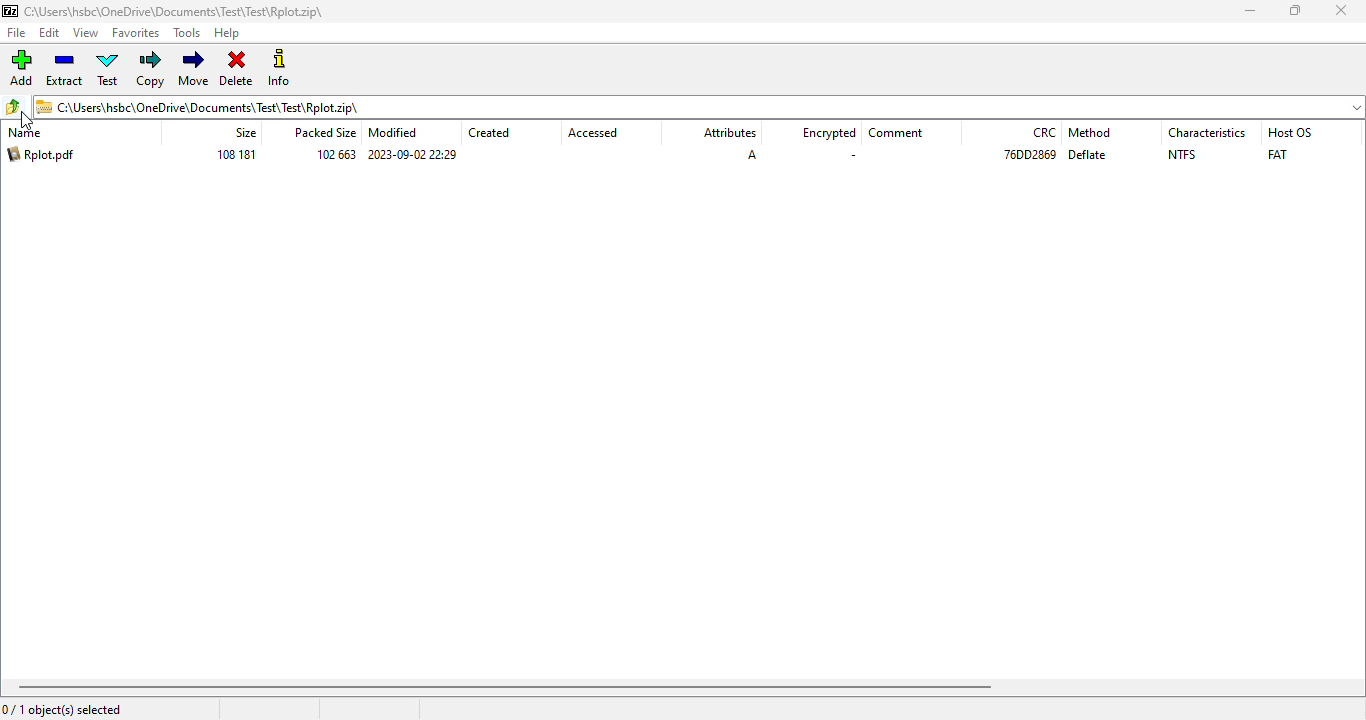 This screenshot has width=1366, height=720. Describe the element at coordinates (336, 154) in the screenshot. I see `102 663` at that location.